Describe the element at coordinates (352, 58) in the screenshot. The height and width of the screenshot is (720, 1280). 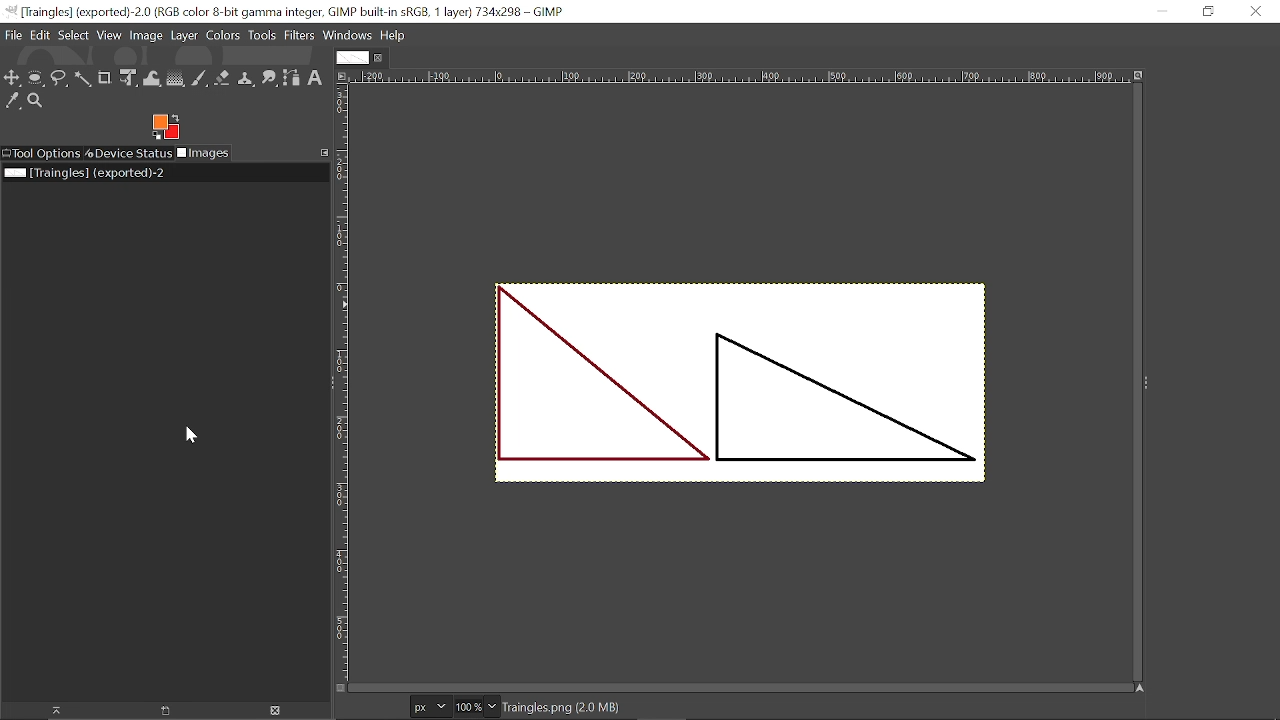
I see `Current tab` at that location.